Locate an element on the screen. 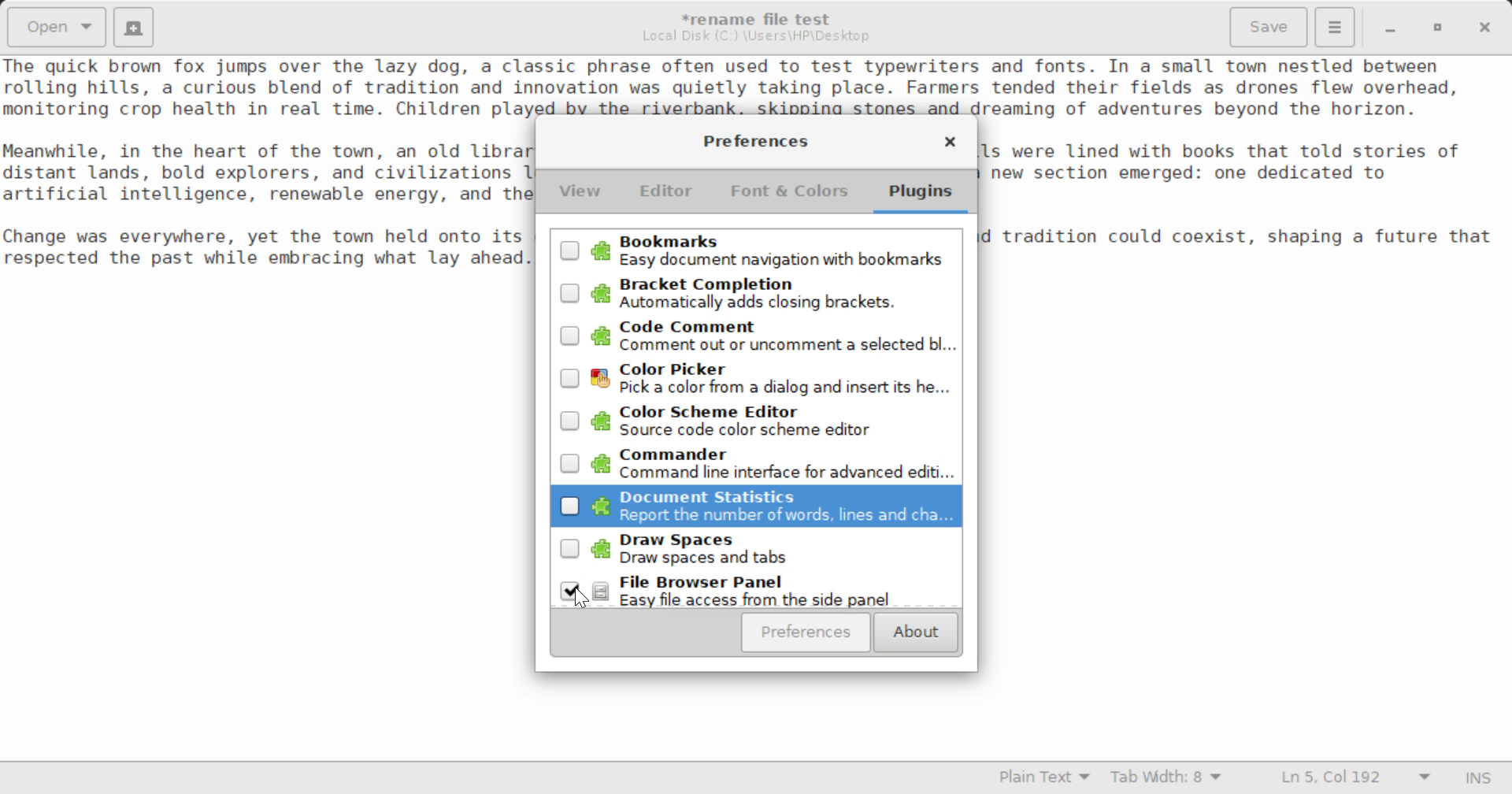  Minimize is located at coordinates (1438, 28).